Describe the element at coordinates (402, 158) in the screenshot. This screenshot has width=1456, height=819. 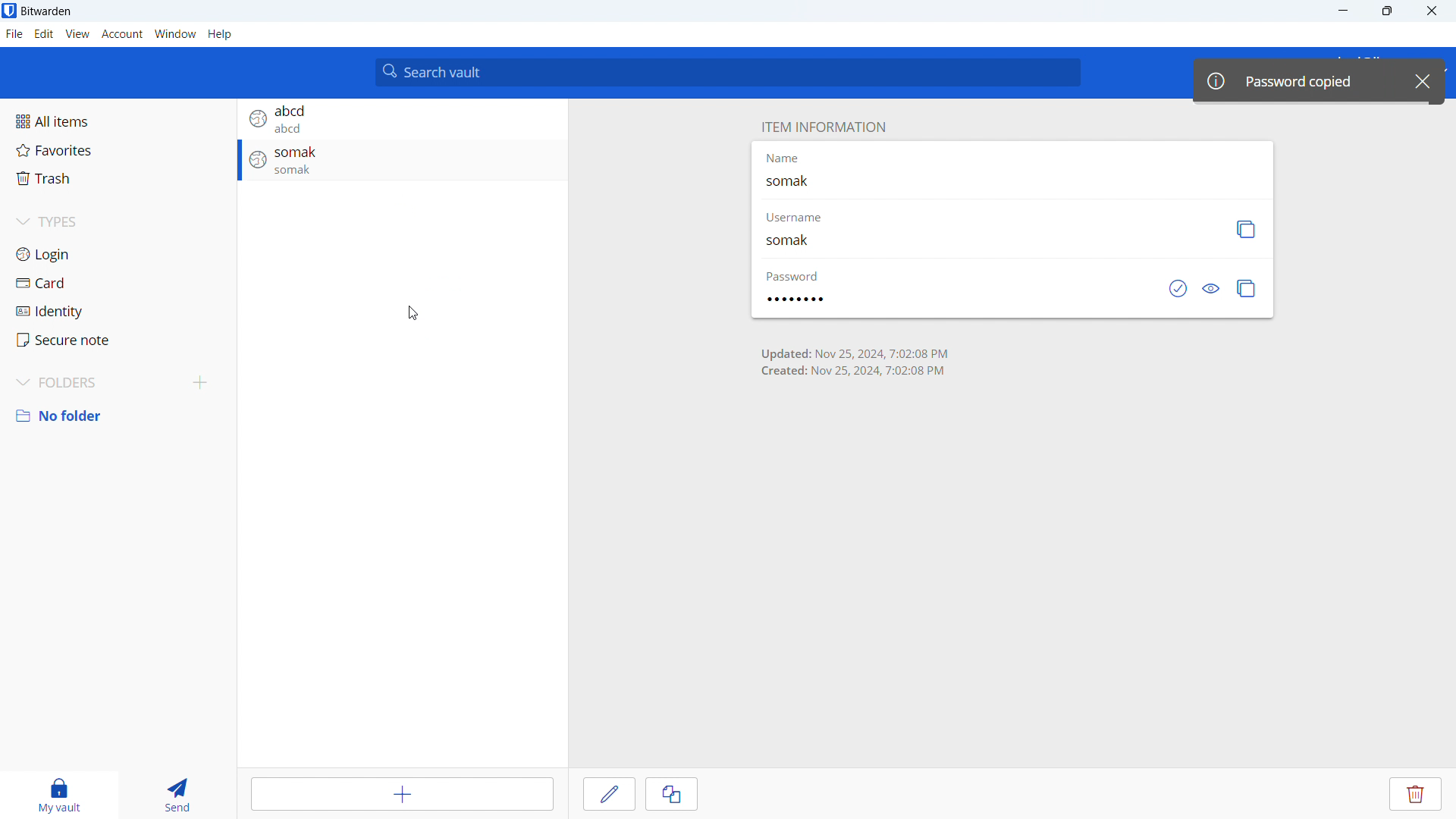
I see `login entry with name somak` at that location.